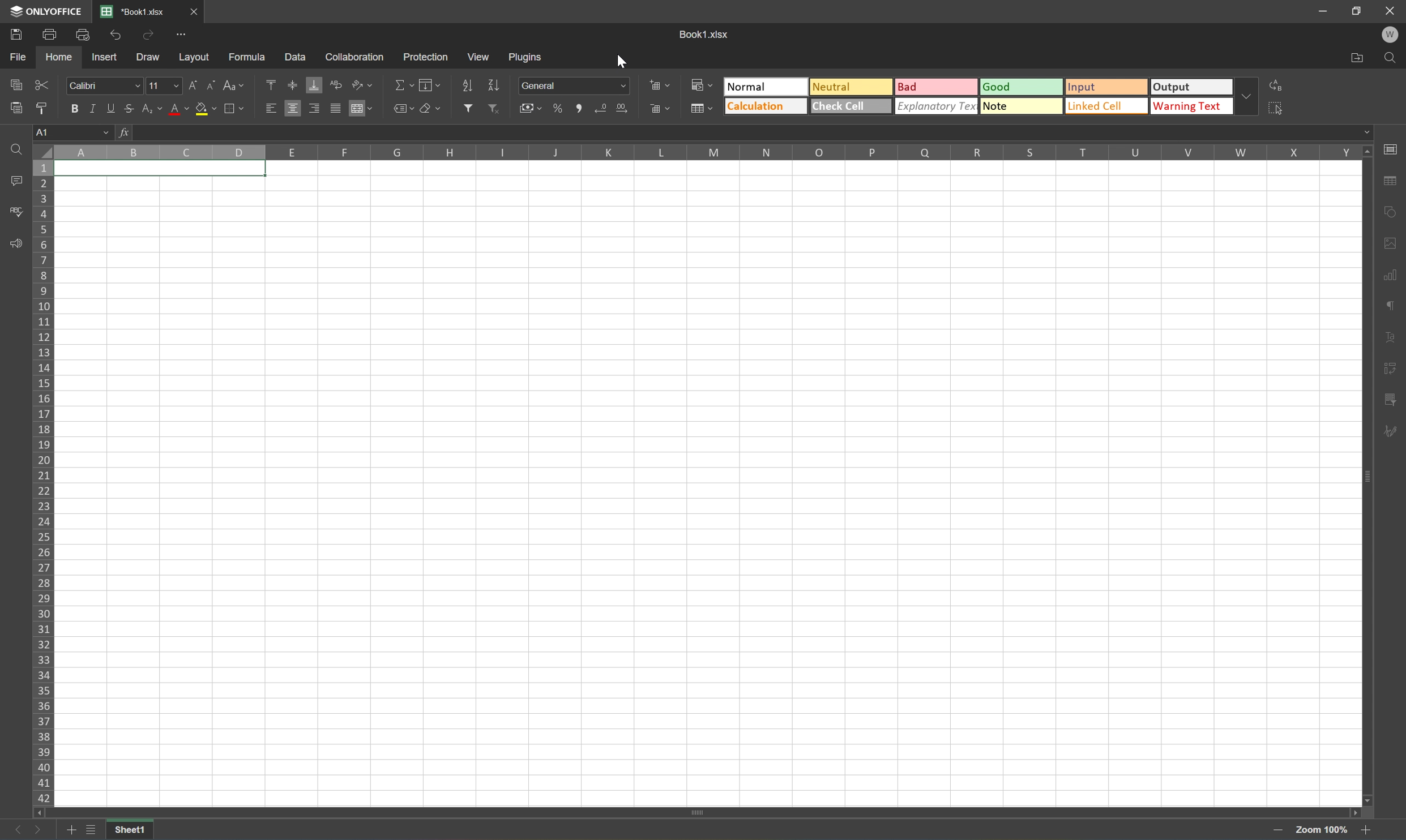 This screenshot has width=1406, height=840. I want to click on Shape settings, so click(1388, 242).